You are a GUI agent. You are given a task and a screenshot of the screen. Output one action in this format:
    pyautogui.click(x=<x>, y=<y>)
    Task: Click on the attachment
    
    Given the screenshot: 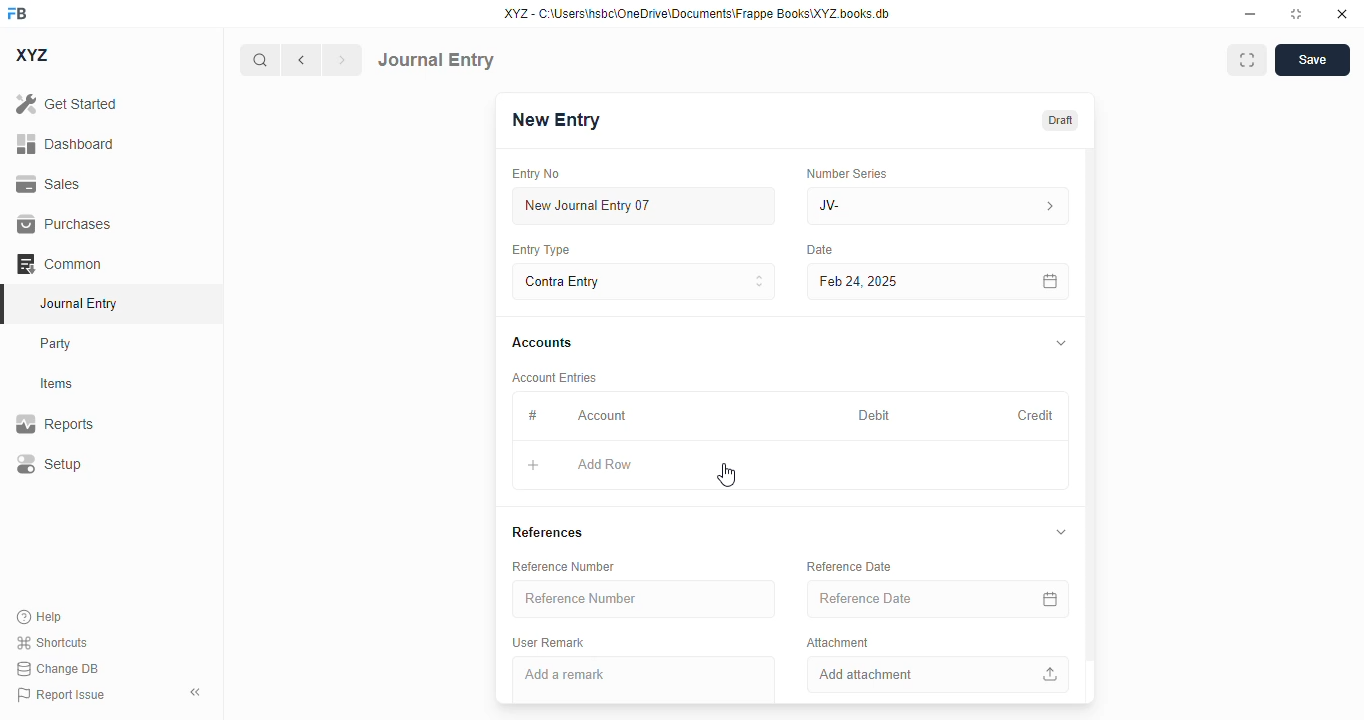 What is the action you would take?
    pyautogui.click(x=838, y=642)
    